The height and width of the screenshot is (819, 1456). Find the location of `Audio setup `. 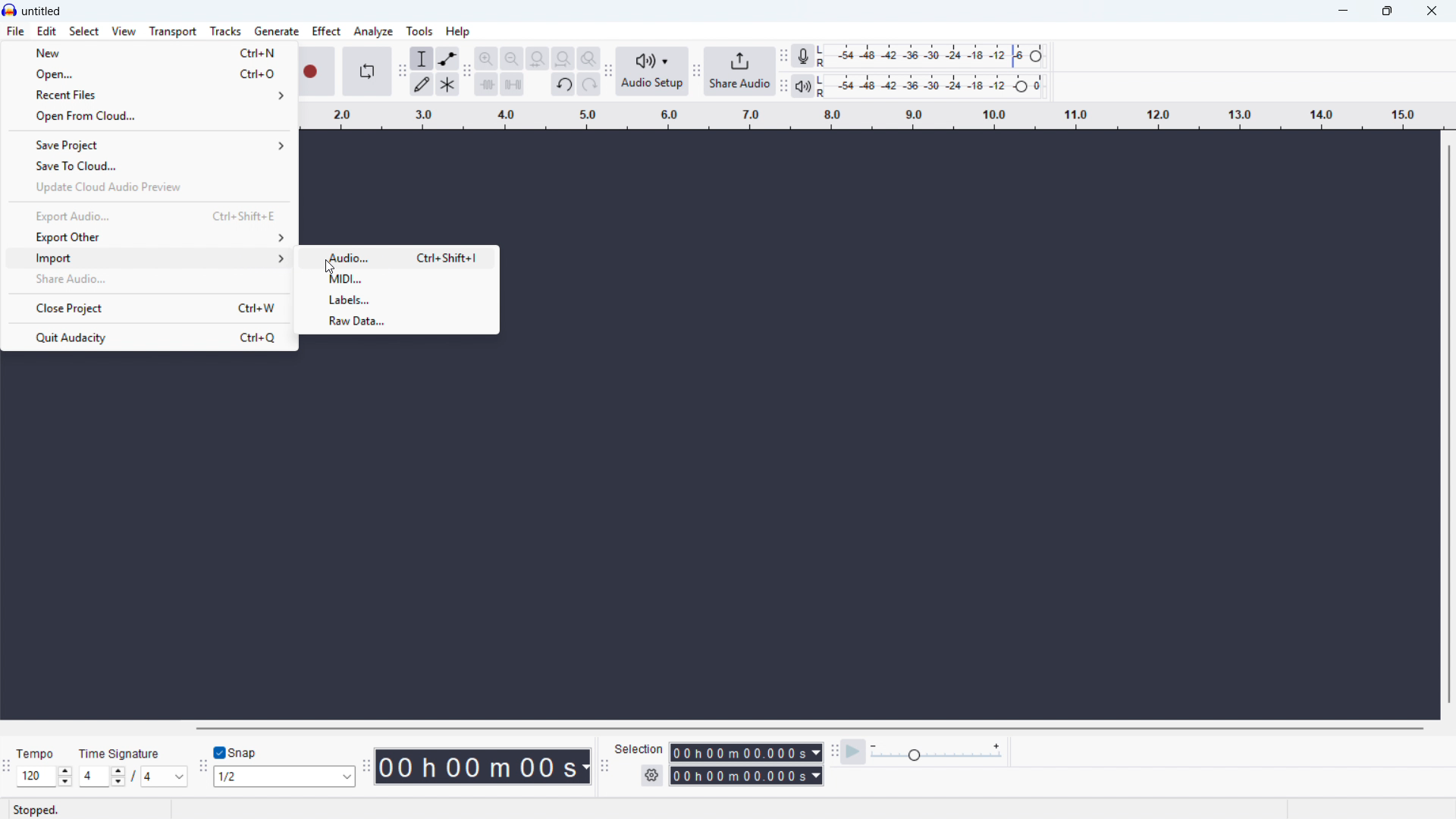

Audio setup  is located at coordinates (652, 71).